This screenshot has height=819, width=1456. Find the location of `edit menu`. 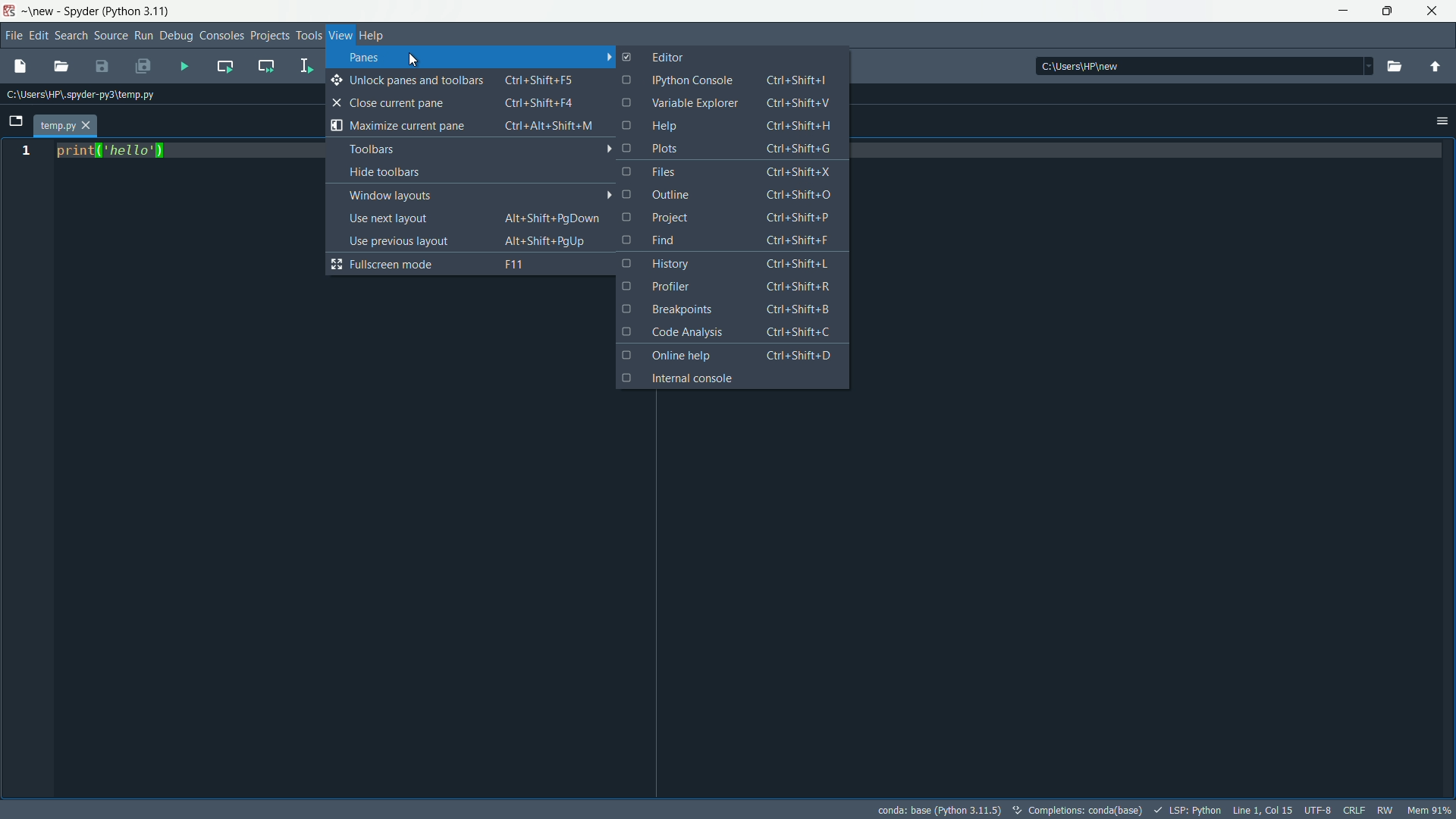

edit menu is located at coordinates (38, 36).